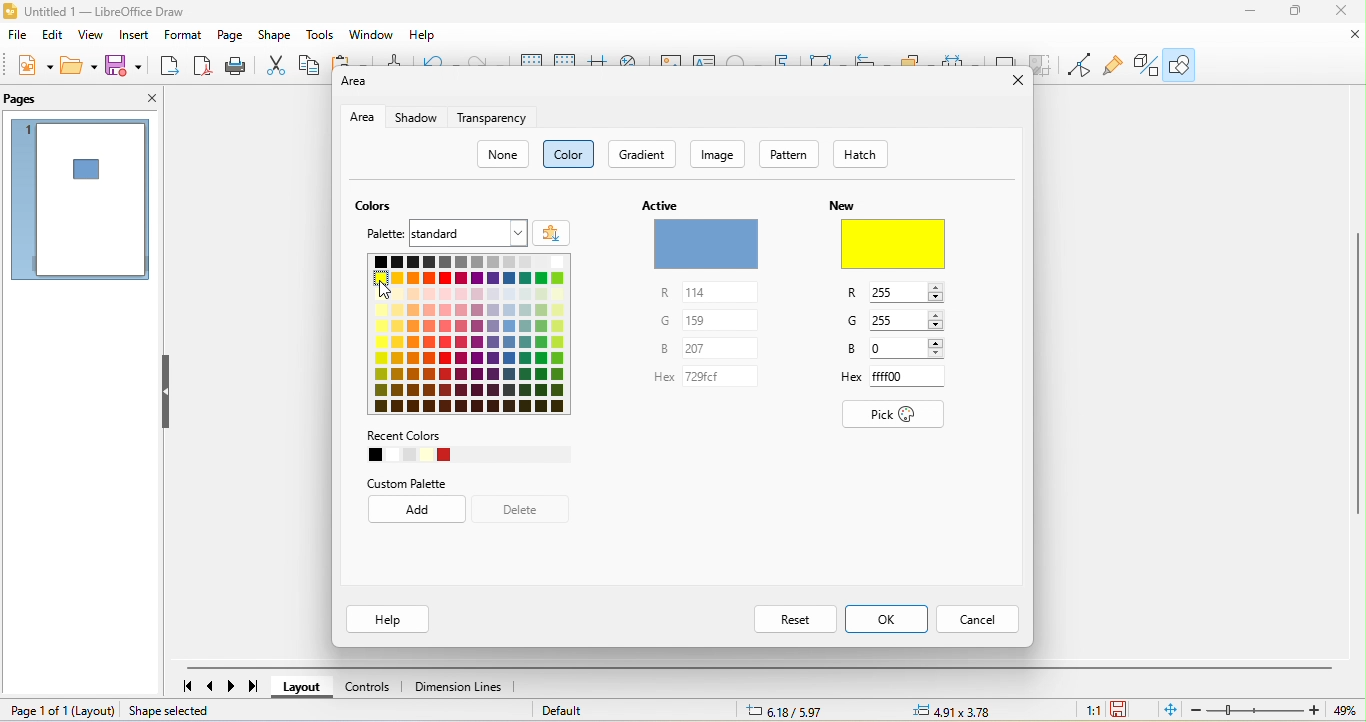 The height and width of the screenshot is (722, 1366). What do you see at coordinates (1141, 65) in the screenshot?
I see `toggle extrusion` at bounding box center [1141, 65].